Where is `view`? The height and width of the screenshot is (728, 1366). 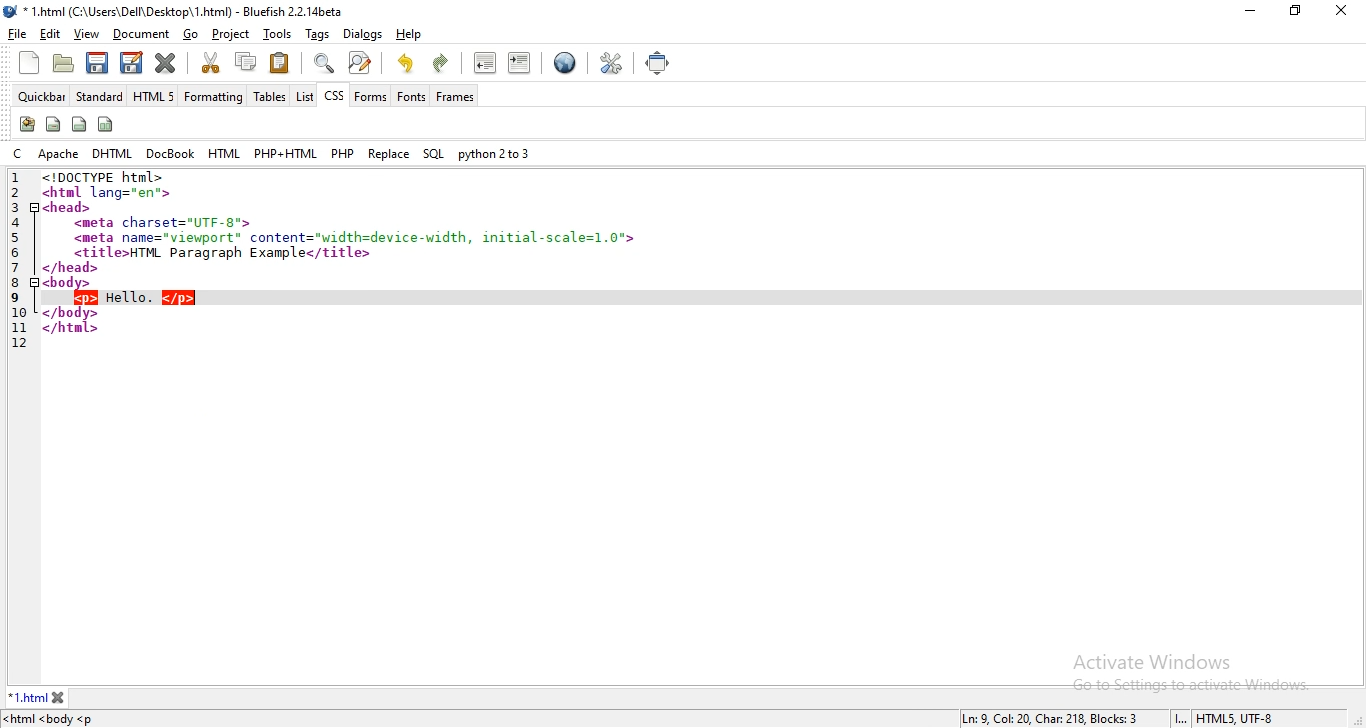
view is located at coordinates (85, 34).